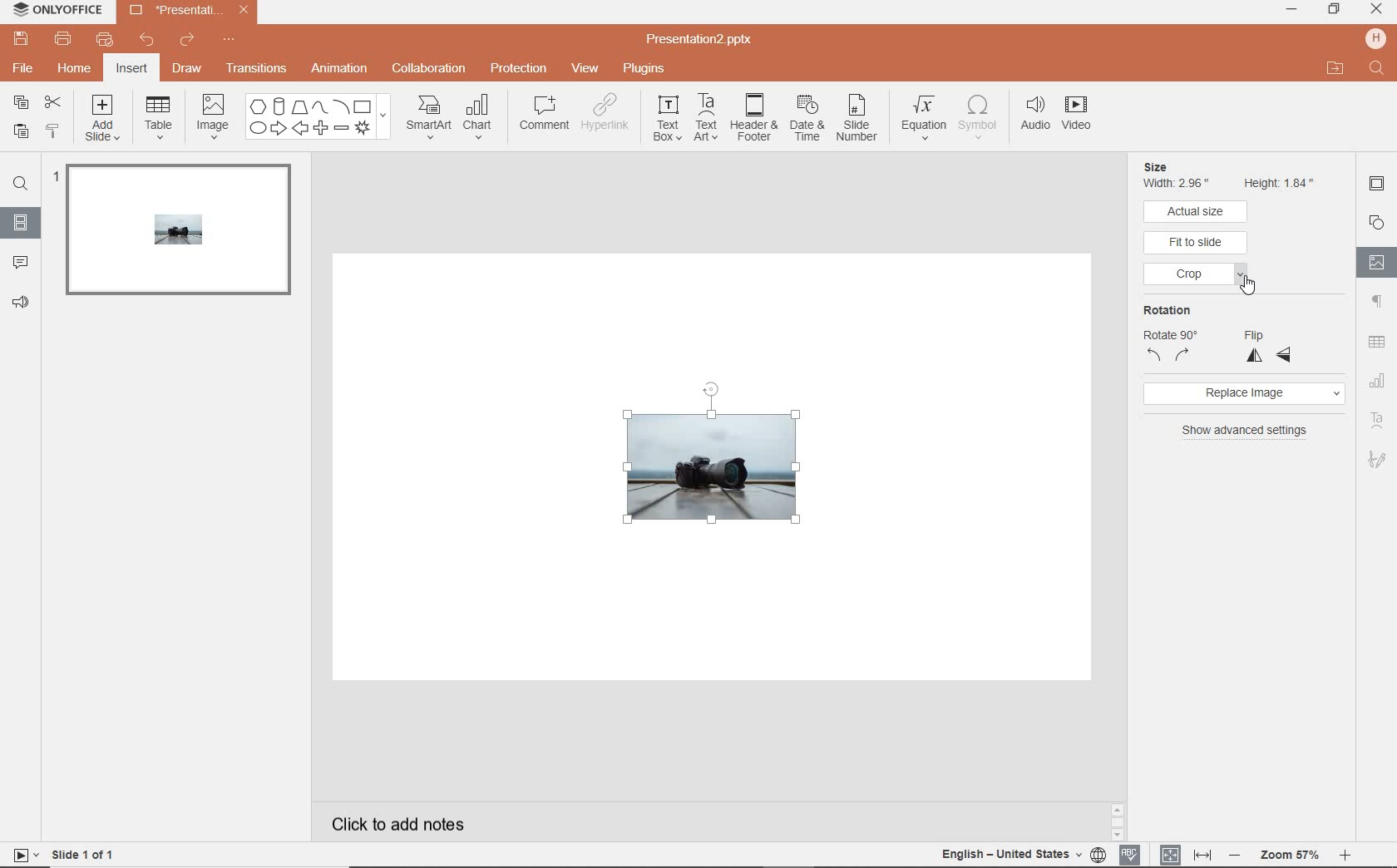  What do you see at coordinates (809, 118) in the screenshot?
I see `date & time` at bounding box center [809, 118].